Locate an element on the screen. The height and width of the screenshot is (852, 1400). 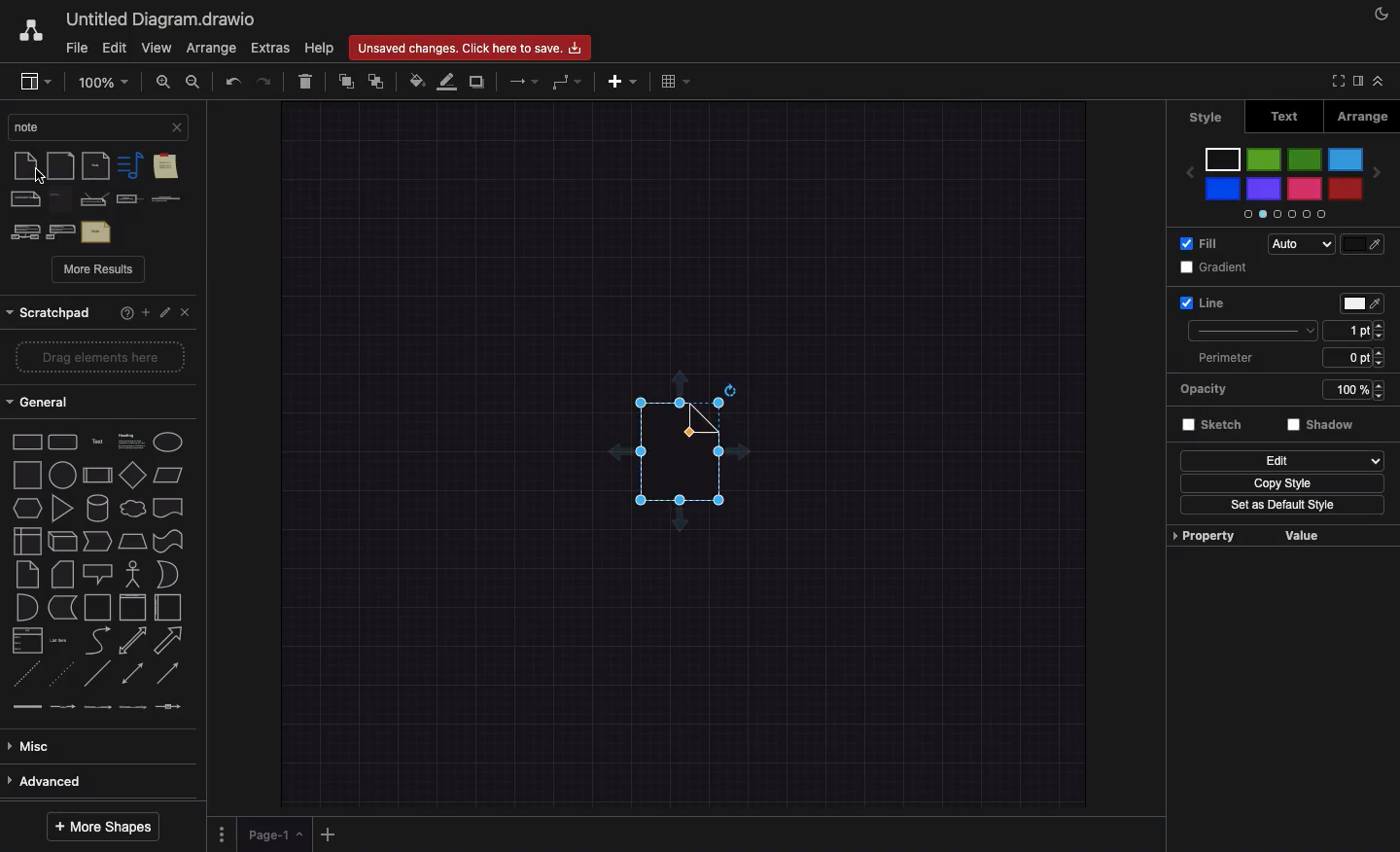
general is located at coordinates (91, 399).